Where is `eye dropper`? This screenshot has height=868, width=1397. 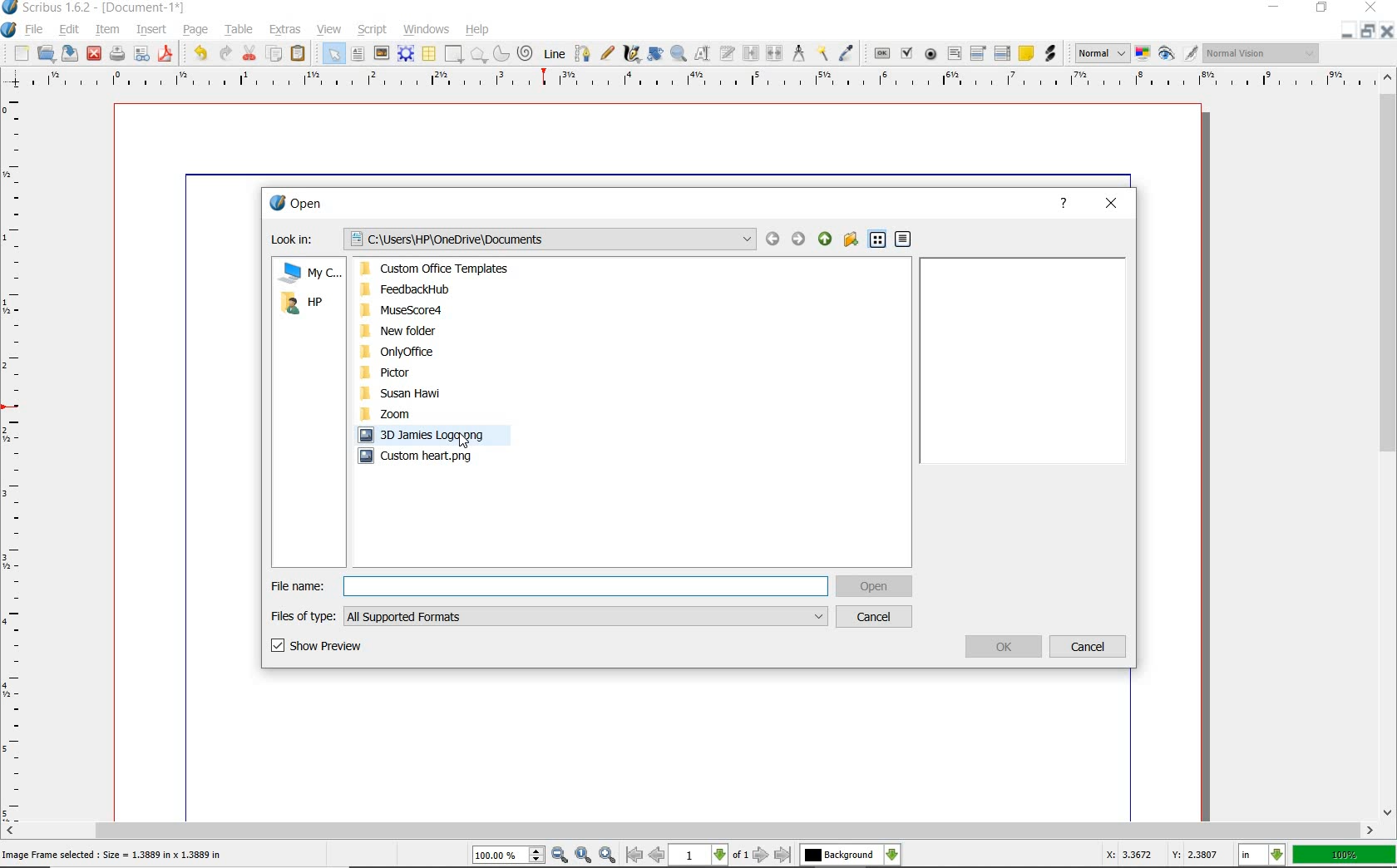
eye dropper is located at coordinates (848, 52).